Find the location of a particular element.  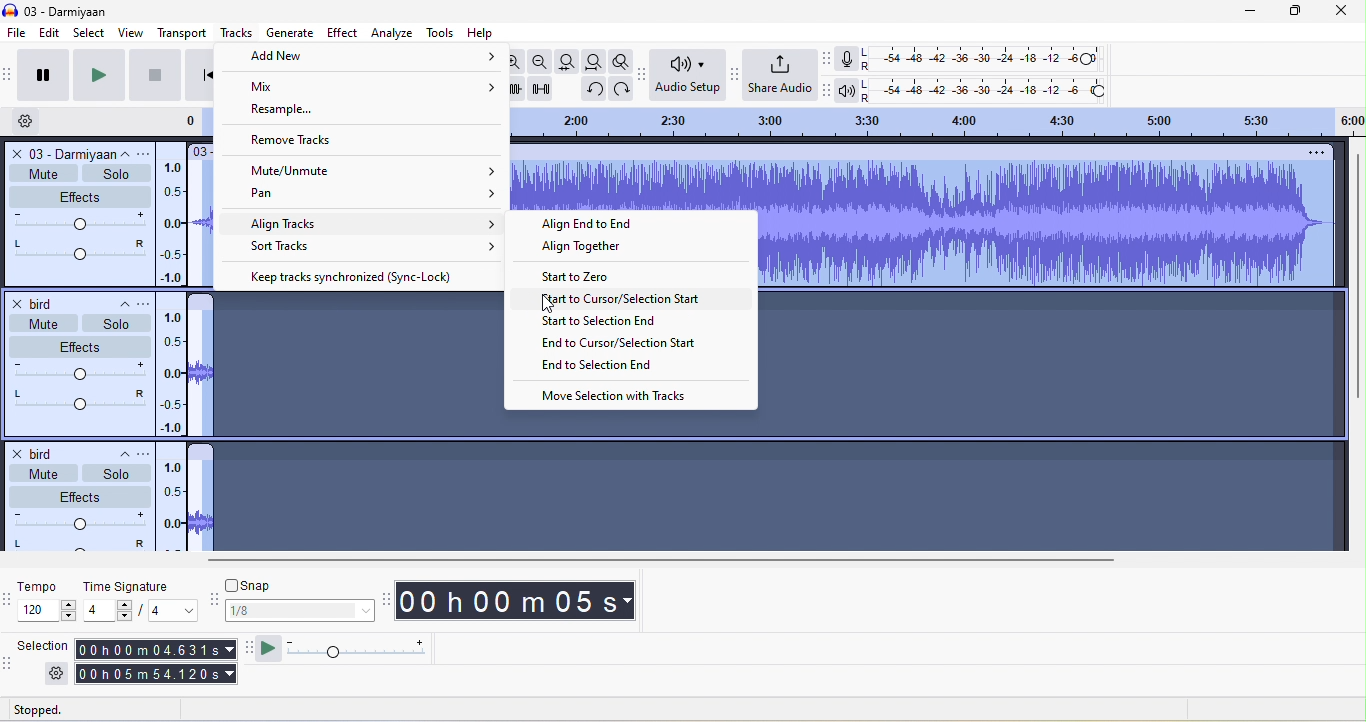

zoom out is located at coordinates (542, 62).